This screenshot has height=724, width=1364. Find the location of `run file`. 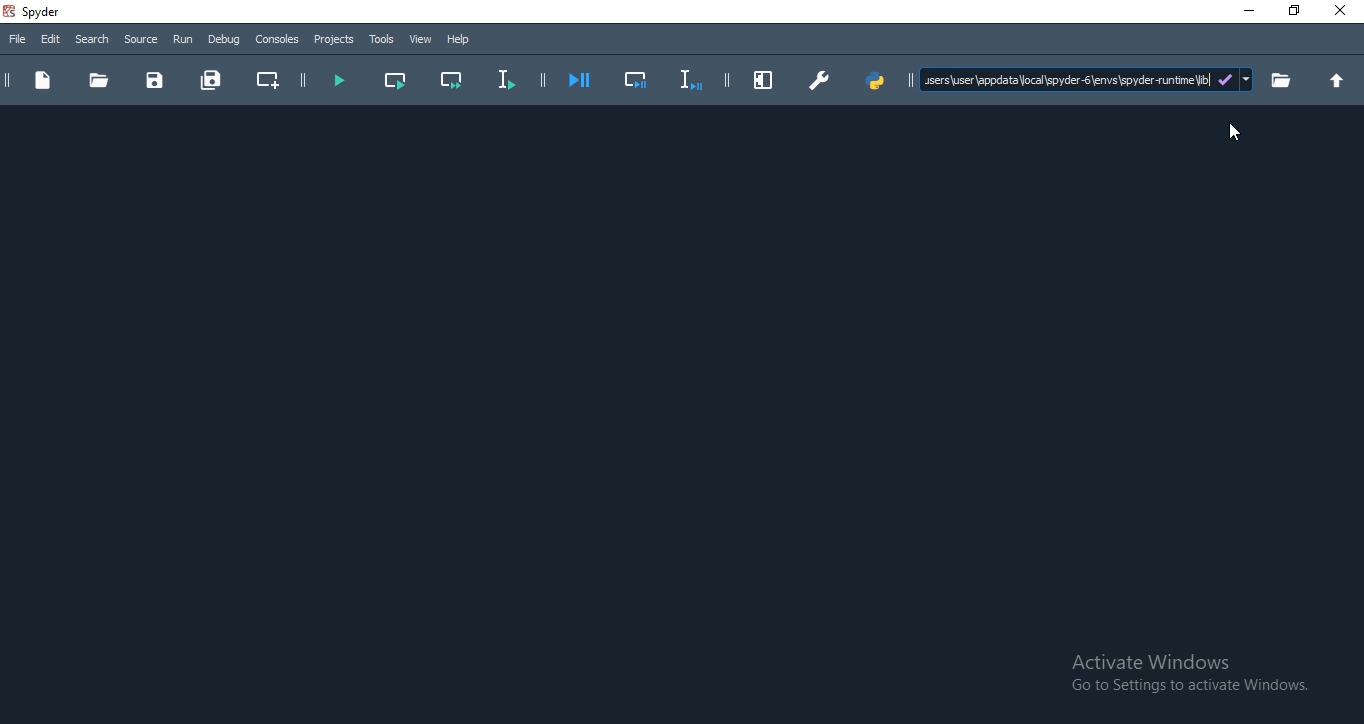

run file is located at coordinates (338, 81).